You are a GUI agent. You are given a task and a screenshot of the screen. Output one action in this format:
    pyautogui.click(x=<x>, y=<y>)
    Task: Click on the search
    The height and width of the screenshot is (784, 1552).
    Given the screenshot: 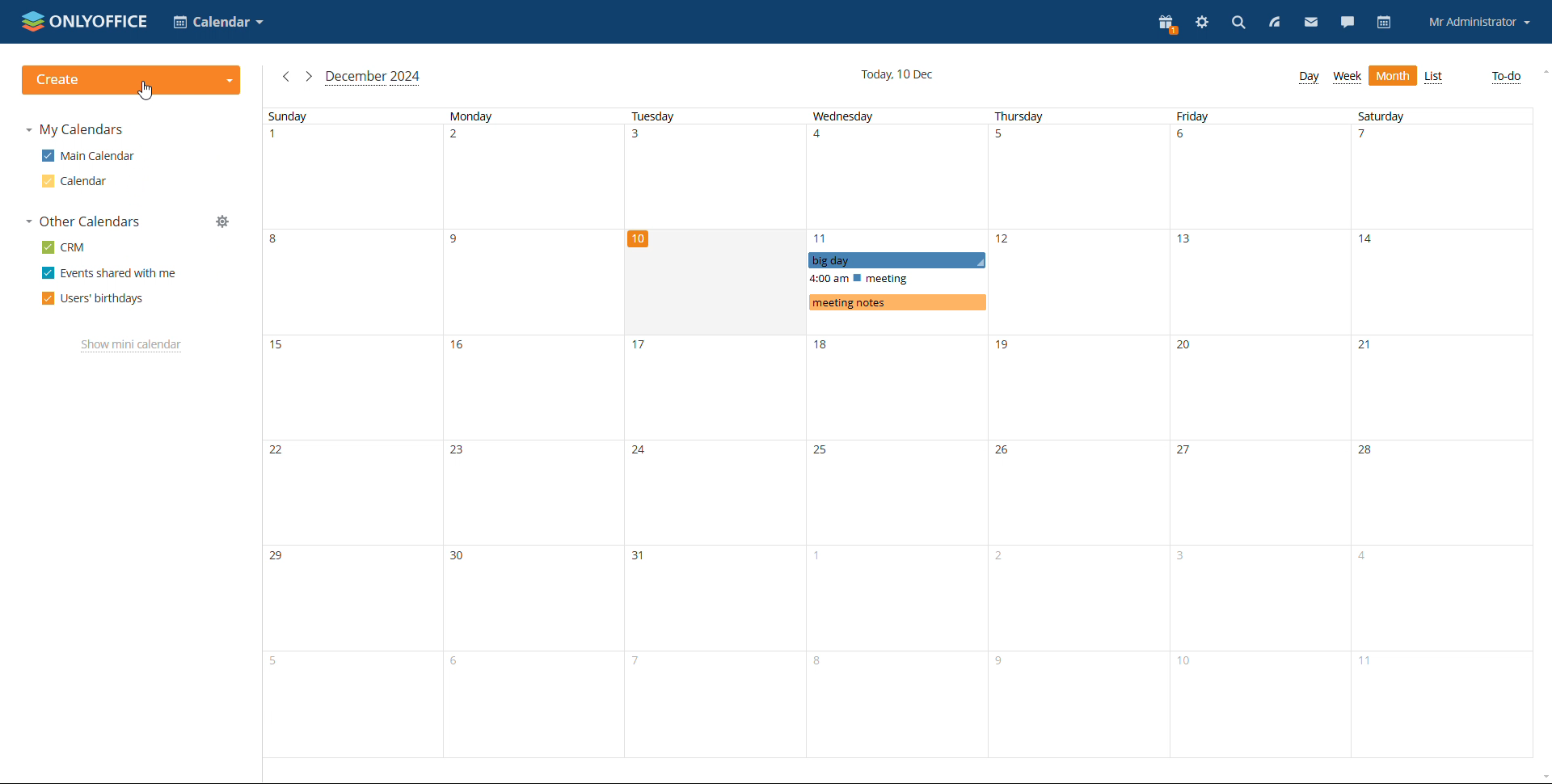 What is the action you would take?
    pyautogui.click(x=1235, y=23)
    